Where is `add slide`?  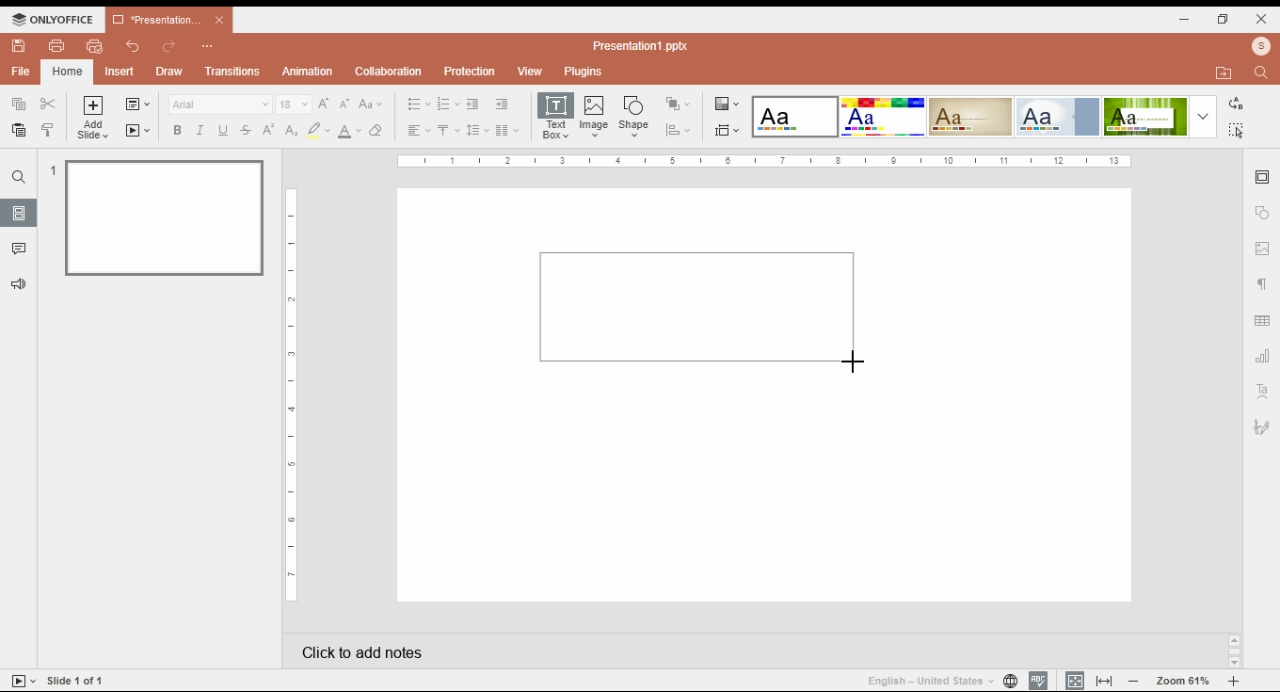 add slide is located at coordinates (93, 118).